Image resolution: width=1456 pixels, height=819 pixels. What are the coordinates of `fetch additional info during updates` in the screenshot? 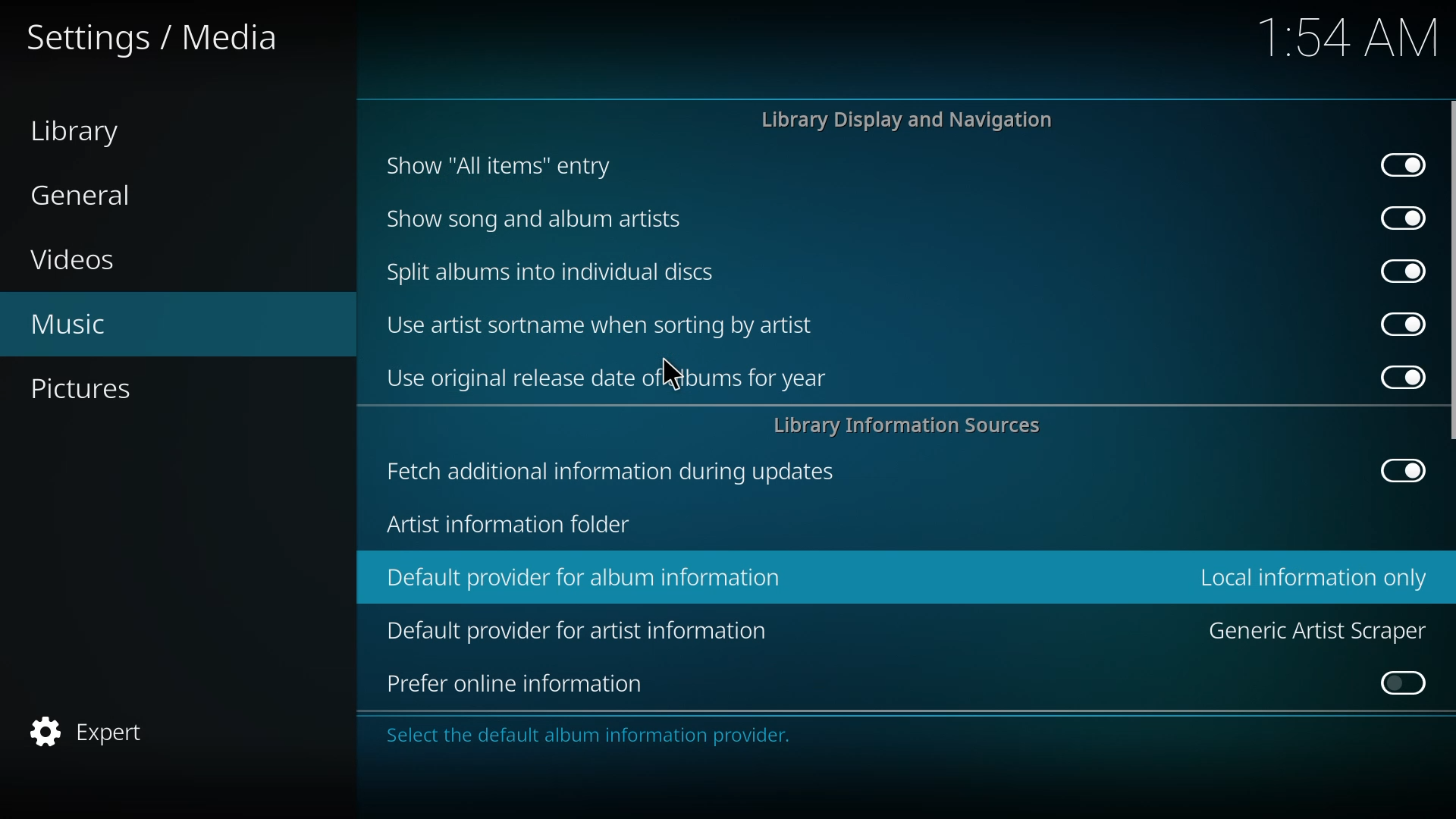 It's located at (612, 470).